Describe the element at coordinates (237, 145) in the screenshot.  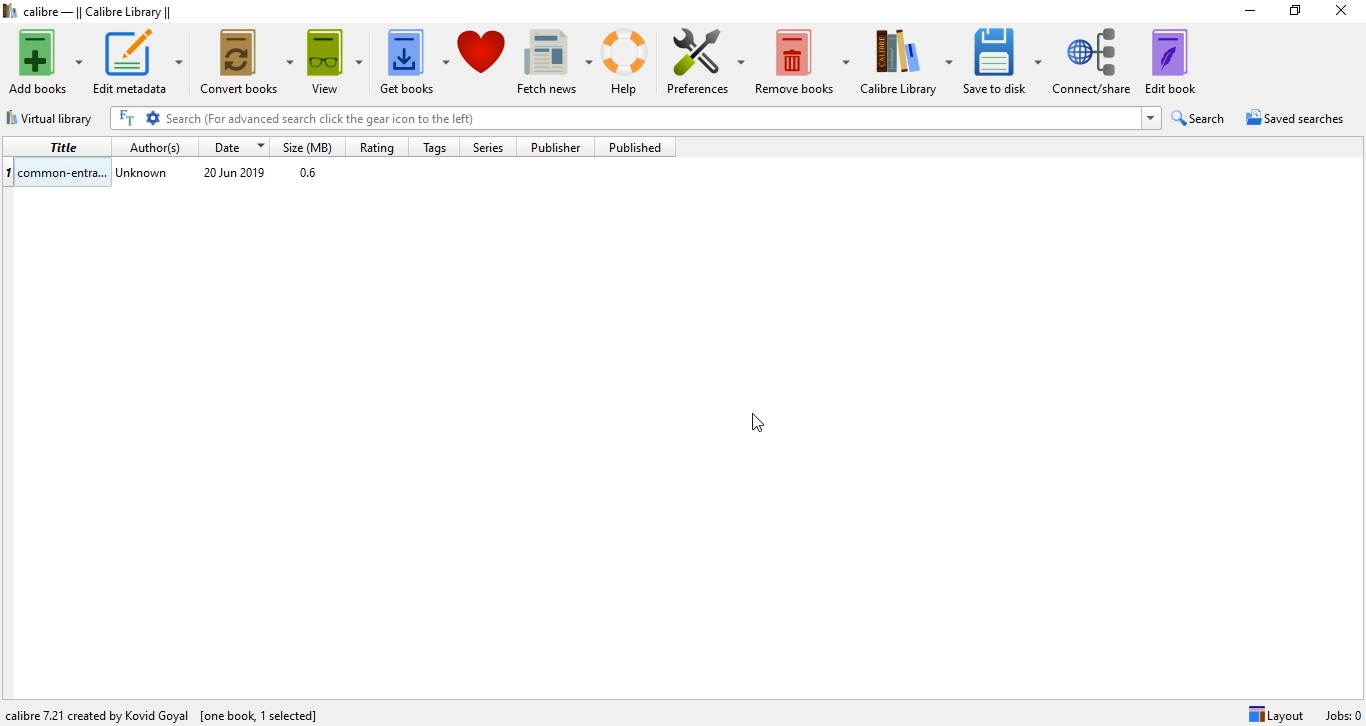
I see `Date` at that location.